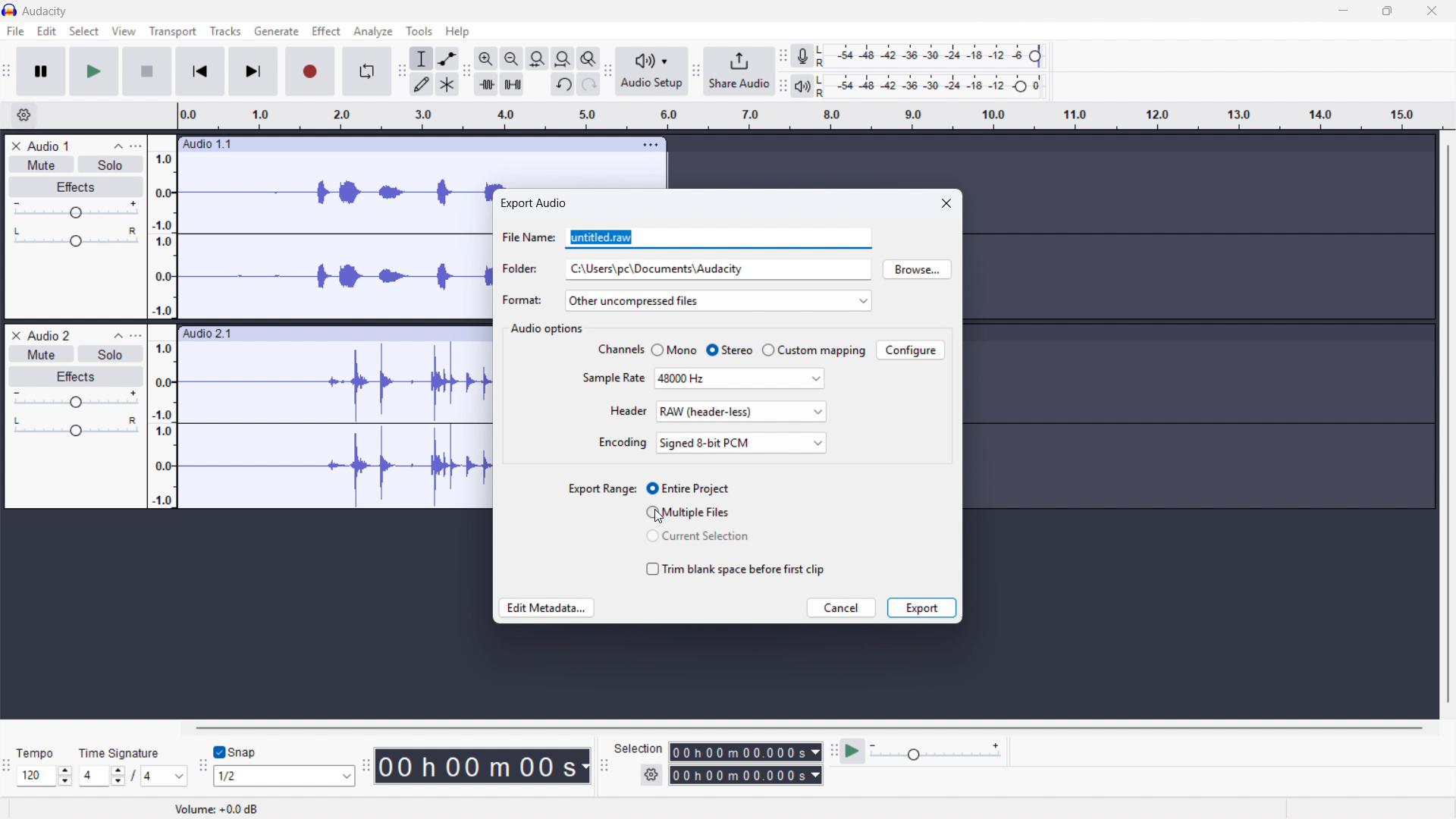  Describe the element at coordinates (588, 58) in the screenshot. I see `Toggle zoom ` at that location.